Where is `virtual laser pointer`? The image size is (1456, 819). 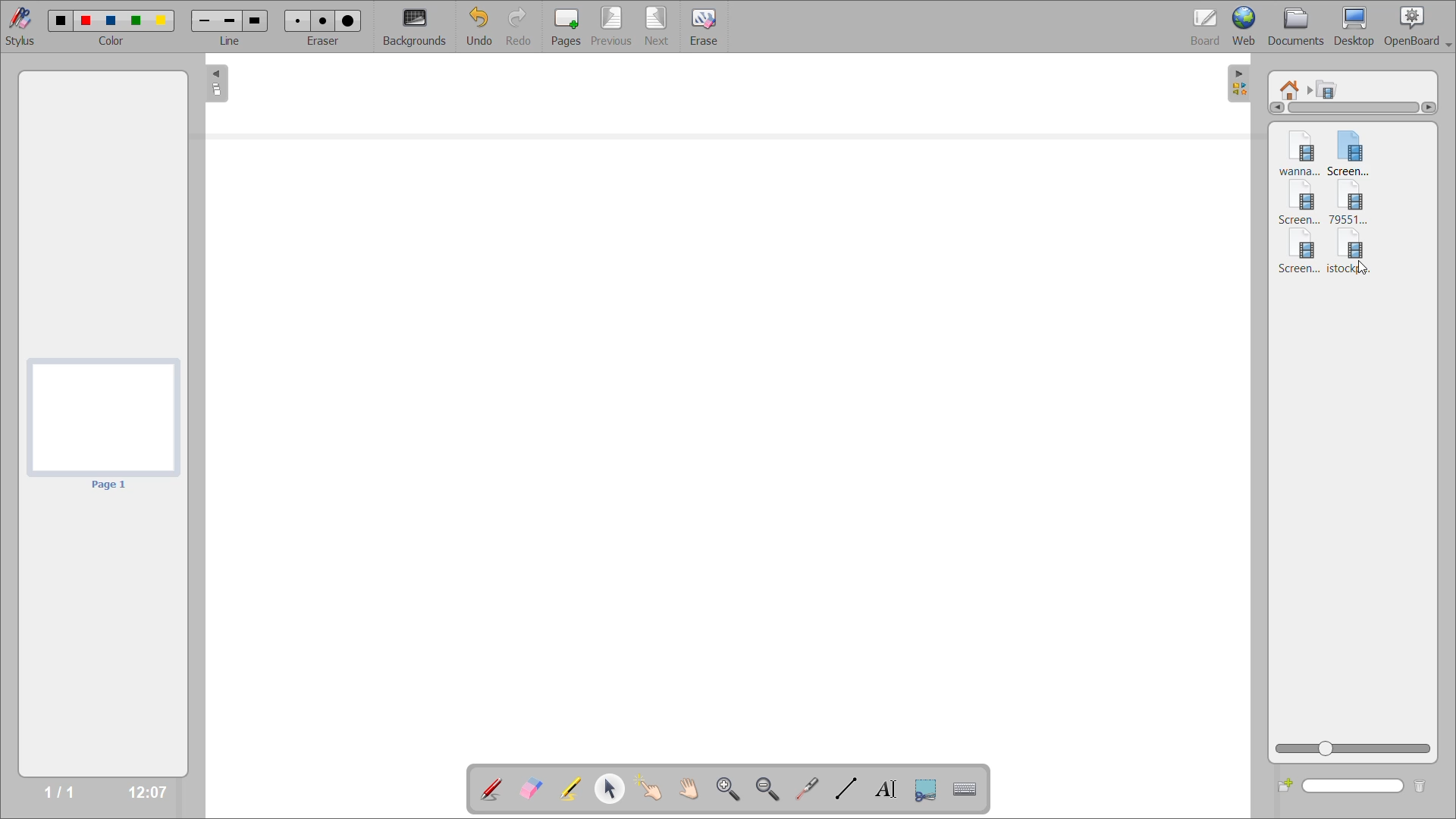
virtual laser pointer is located at coordinates (810, 788).